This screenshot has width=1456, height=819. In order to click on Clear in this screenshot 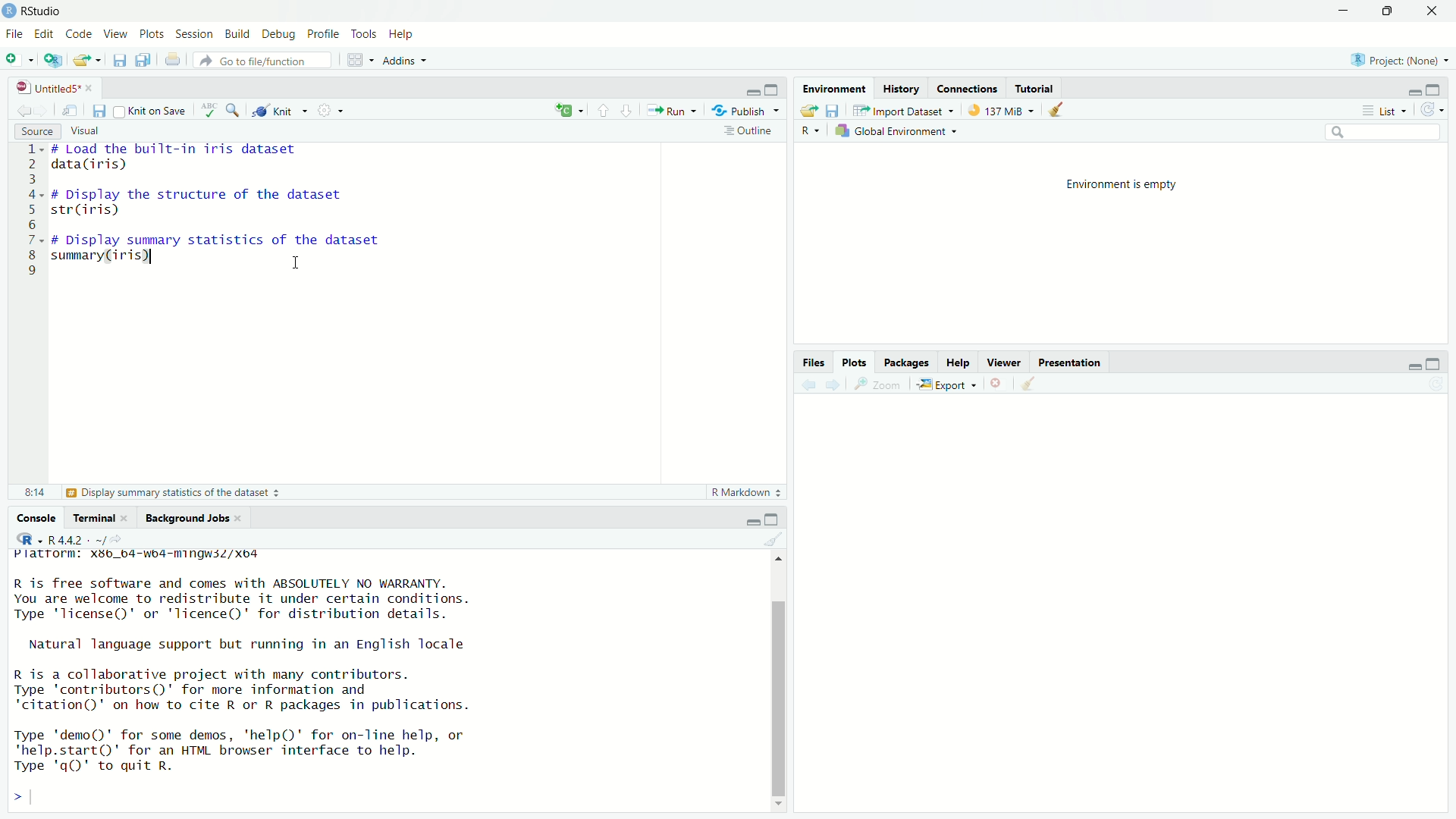, I will do `click(776, 537)`.